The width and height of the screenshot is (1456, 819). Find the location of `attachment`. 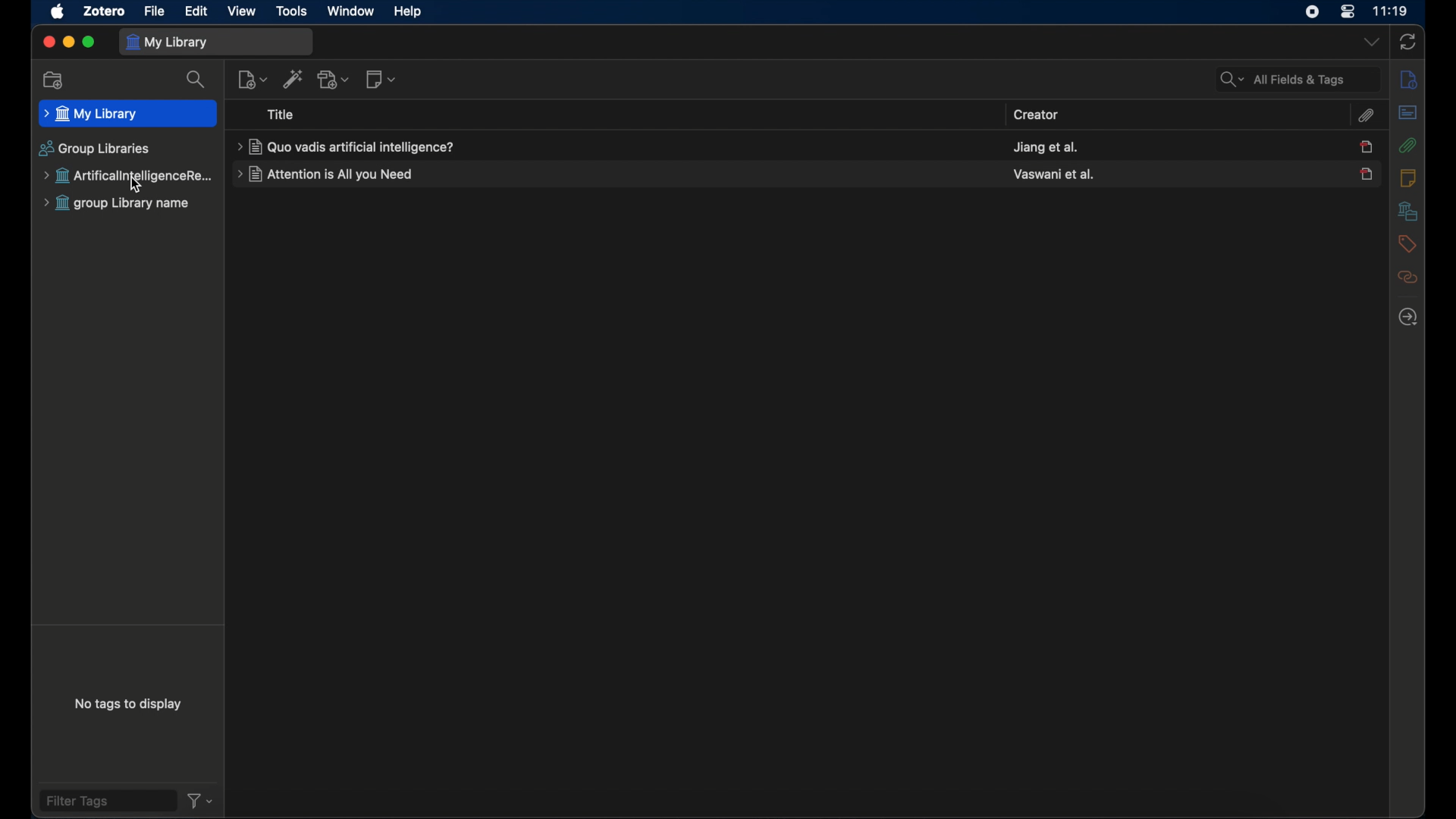

attachment is located at coordinates (1368, 115).